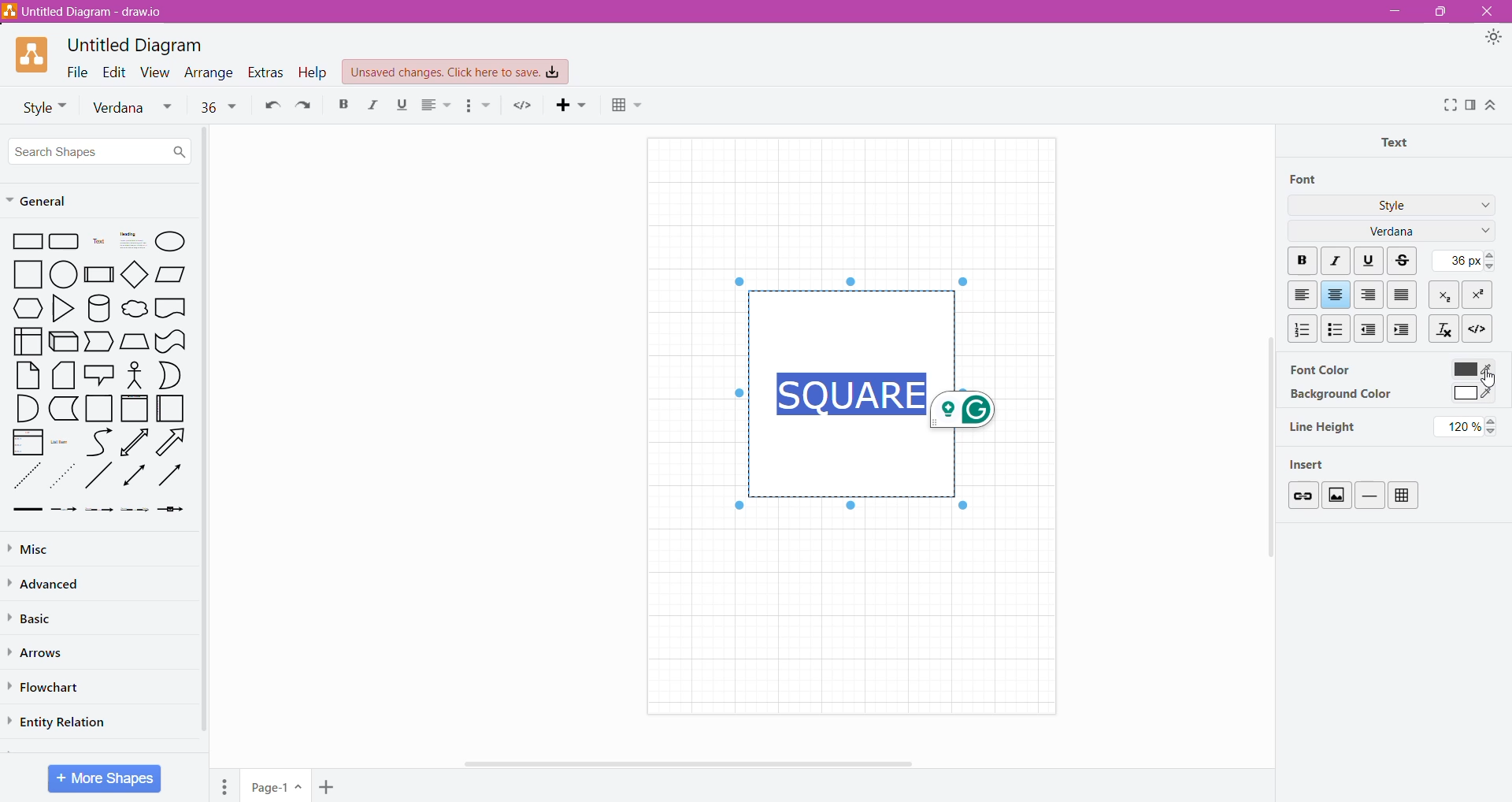 The image size is (1512, 802). Describe the element at coordinates (574, 104) in the screenshot. I see `Insert` at that location.